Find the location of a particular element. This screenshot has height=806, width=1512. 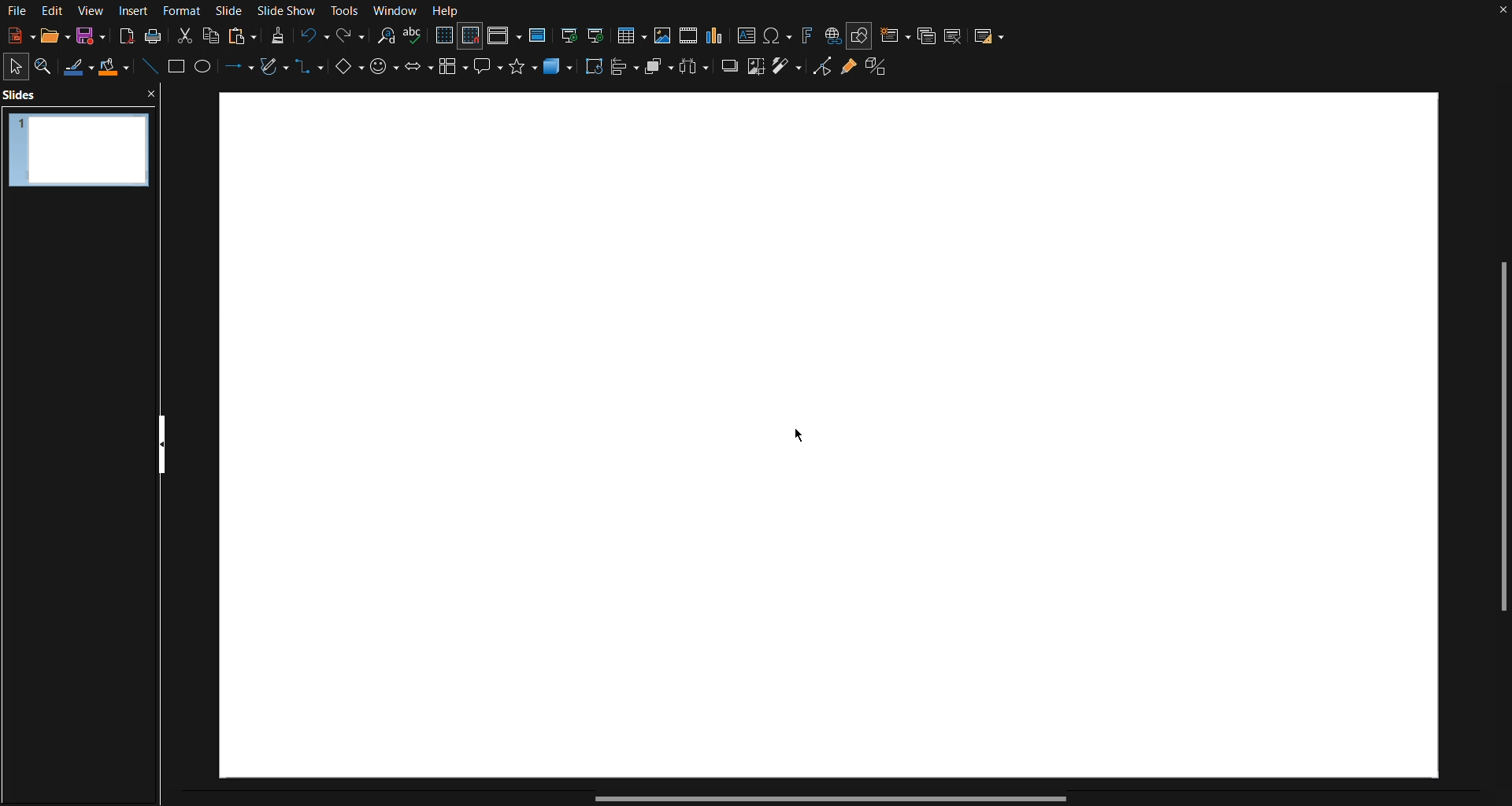

Edit is located at coordinates (53, 11).